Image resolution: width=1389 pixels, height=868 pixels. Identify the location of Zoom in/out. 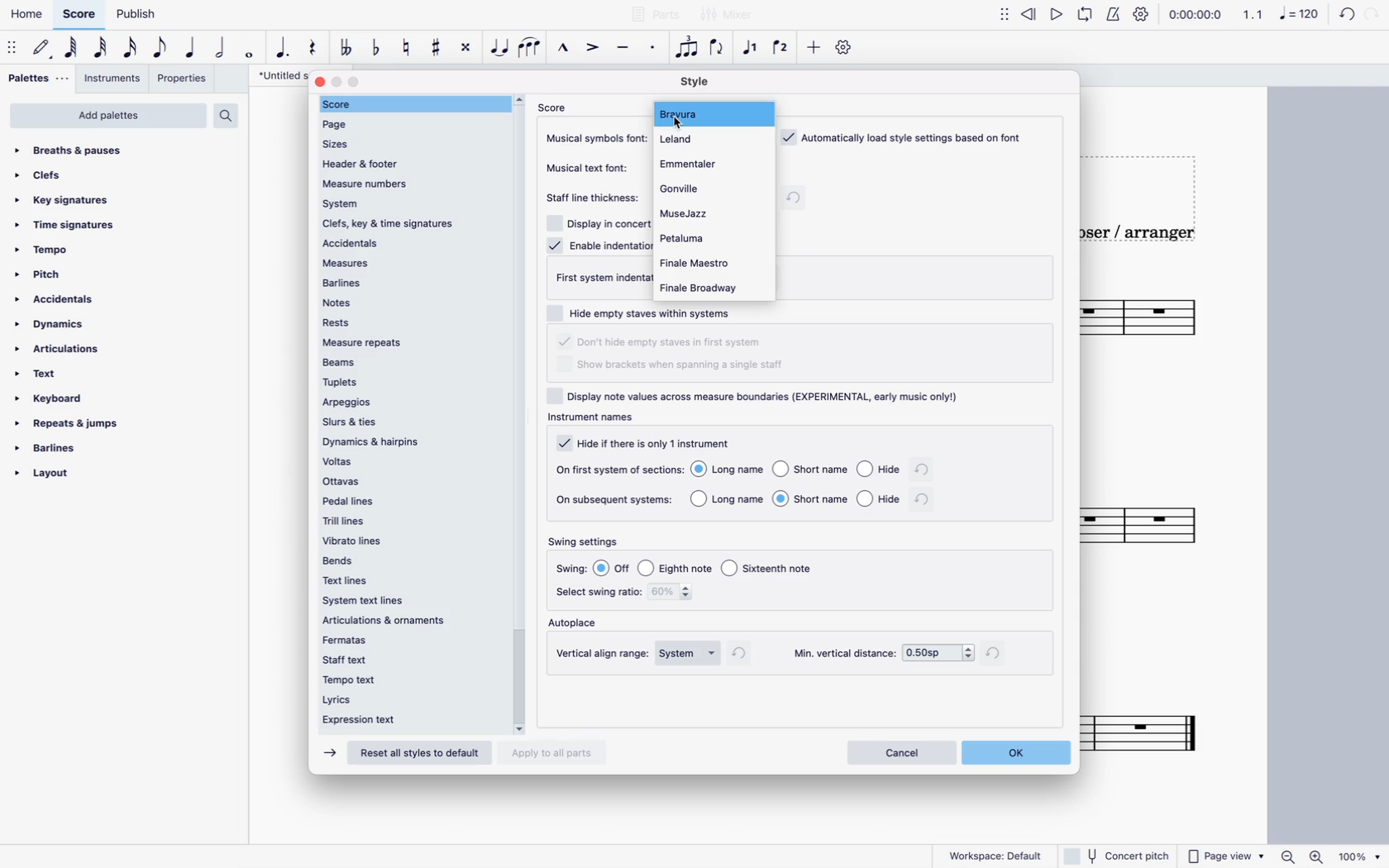
(1300, 856).